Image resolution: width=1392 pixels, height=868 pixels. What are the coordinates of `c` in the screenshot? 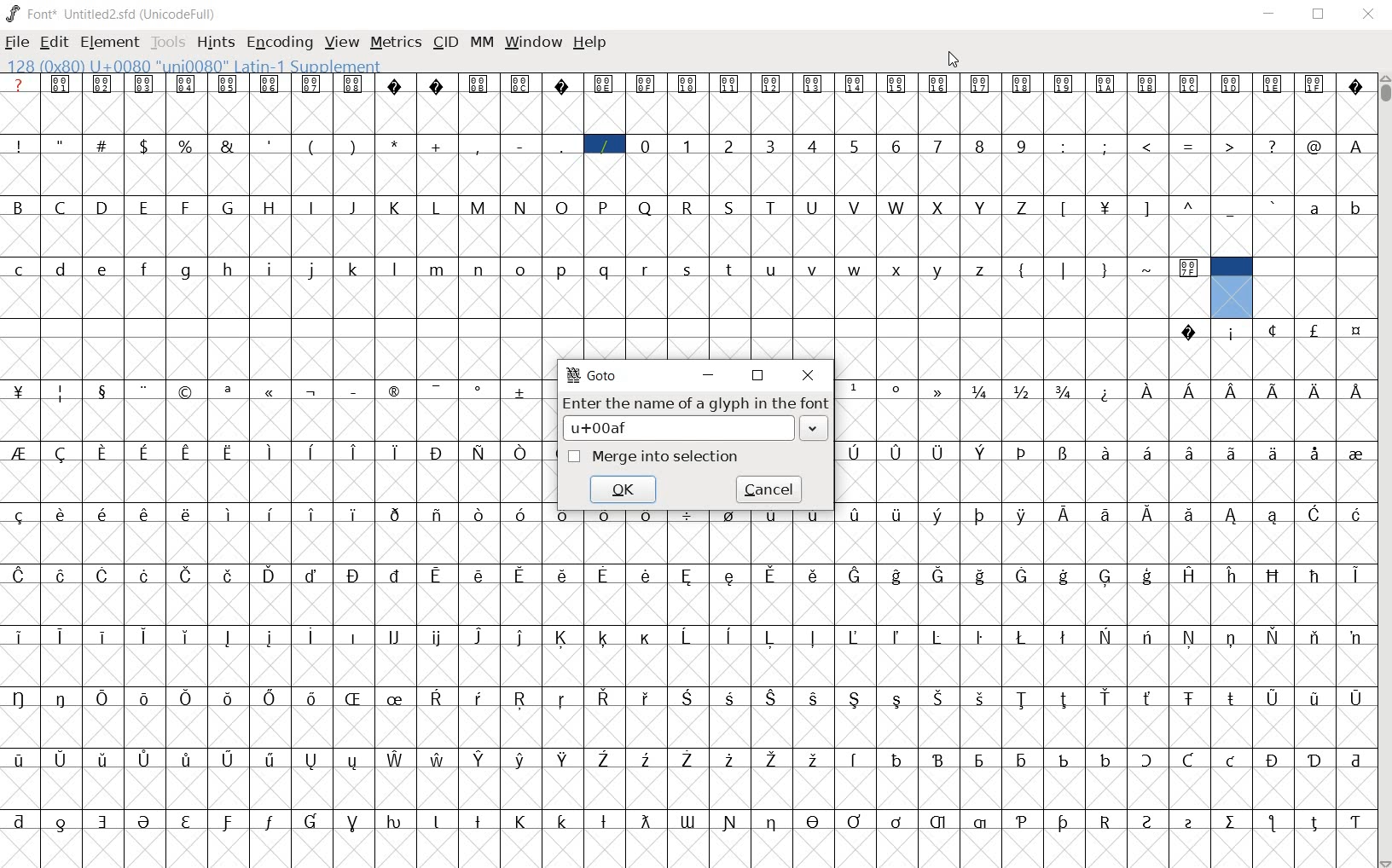 It's located at (20, 267).